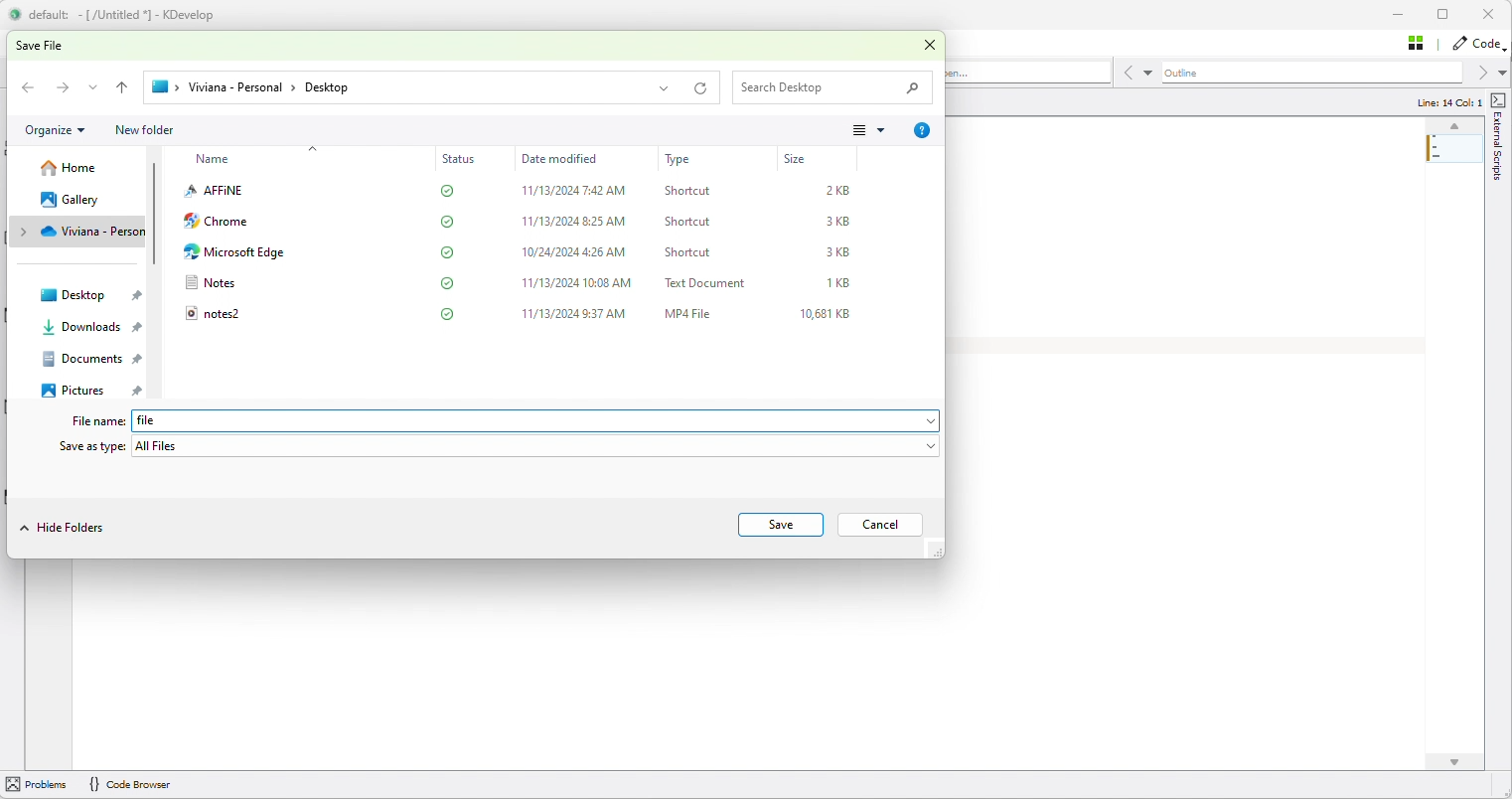 Image resolution: width=1512 pixels, height=799 pixels. What do you see at coordinates (709, 282) in the screenshot?
I see `Text Document` at bounding box center [709, 282].